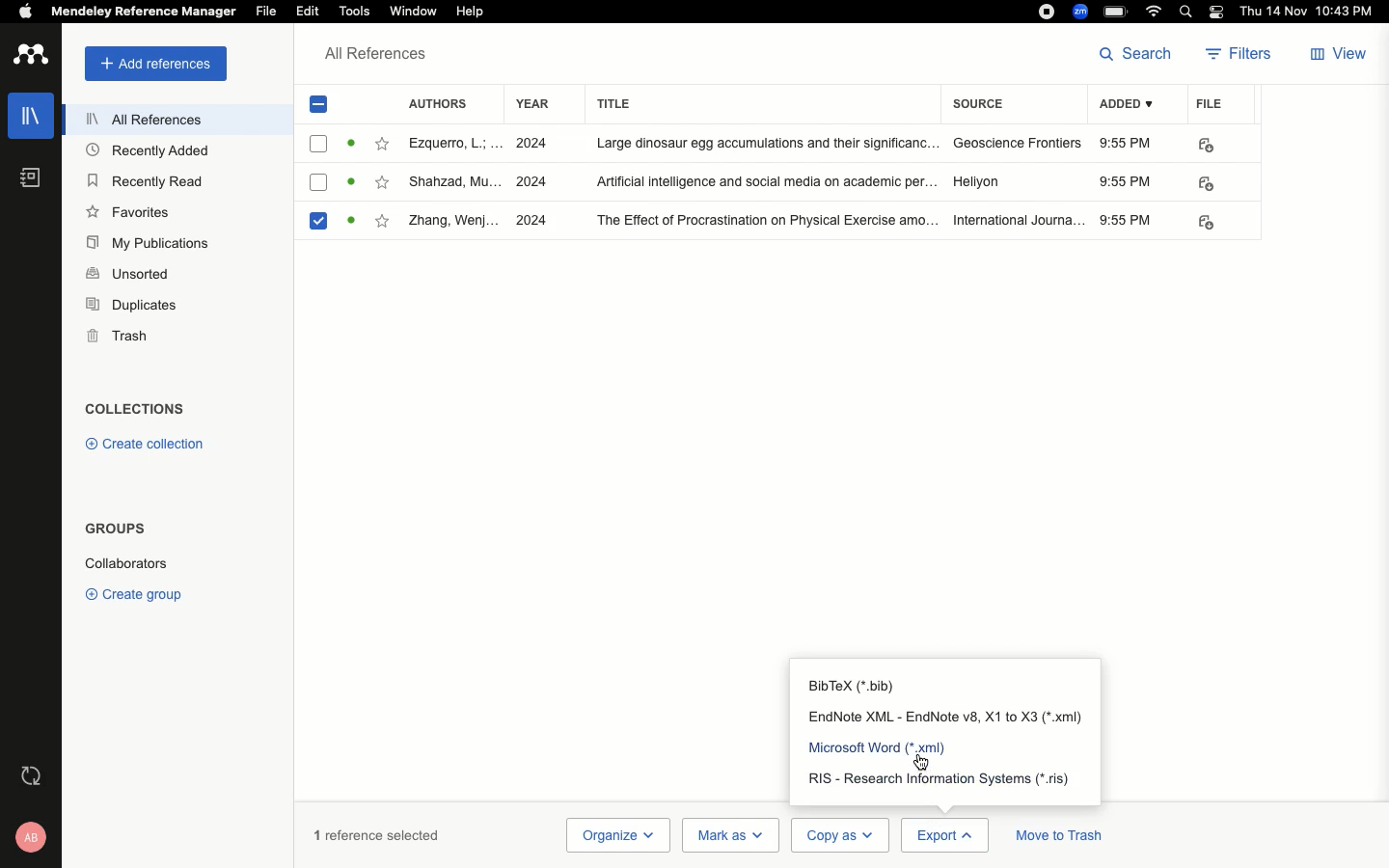 The height and width of the screenshot is (868, 1389). I want to click on View, so click(1336, 56).